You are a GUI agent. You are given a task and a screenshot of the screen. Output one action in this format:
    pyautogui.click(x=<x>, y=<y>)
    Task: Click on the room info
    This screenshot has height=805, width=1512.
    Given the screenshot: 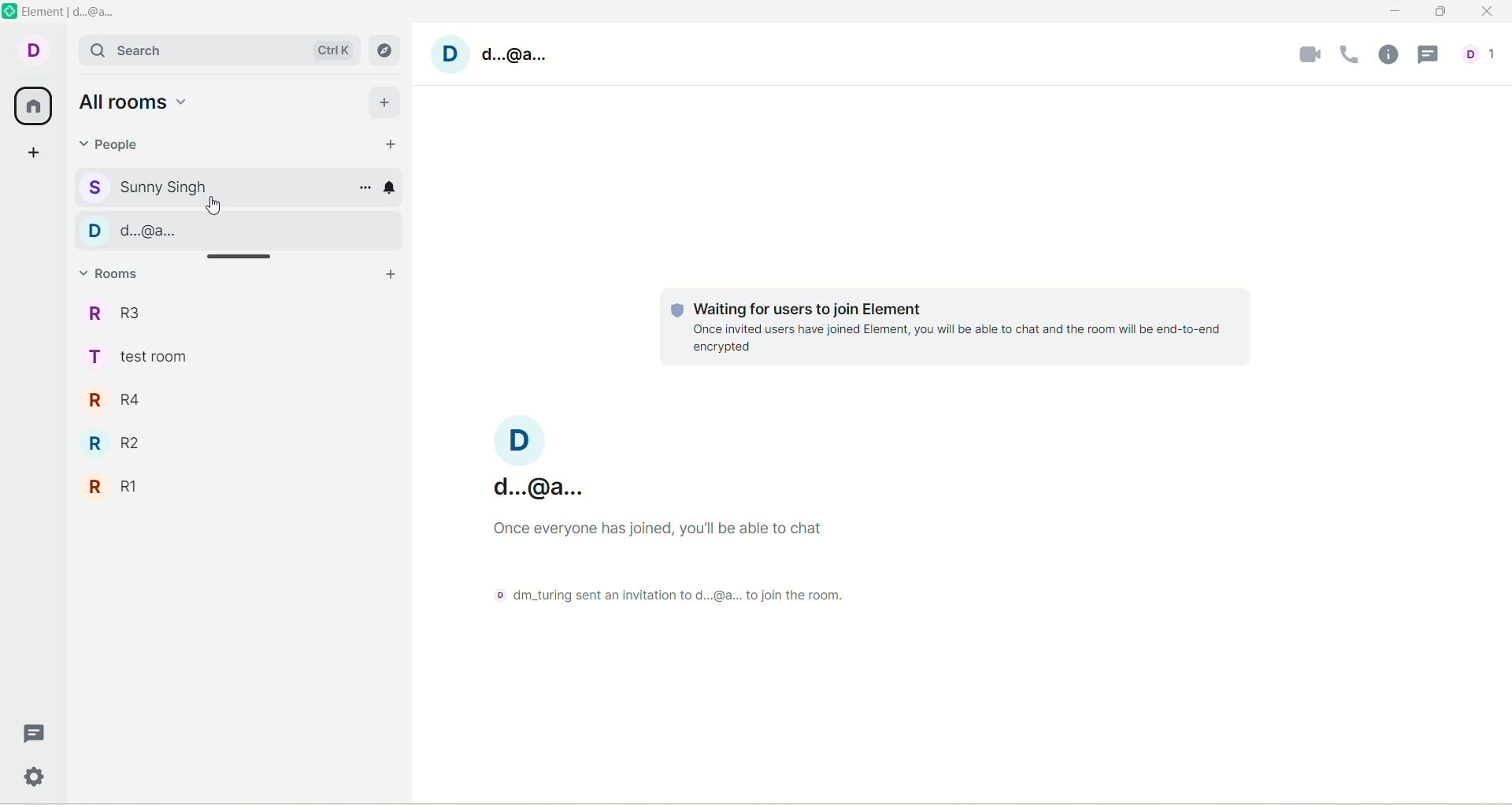 What is the action you would take?
    pyautogui.click(x=1388, y=54)
    